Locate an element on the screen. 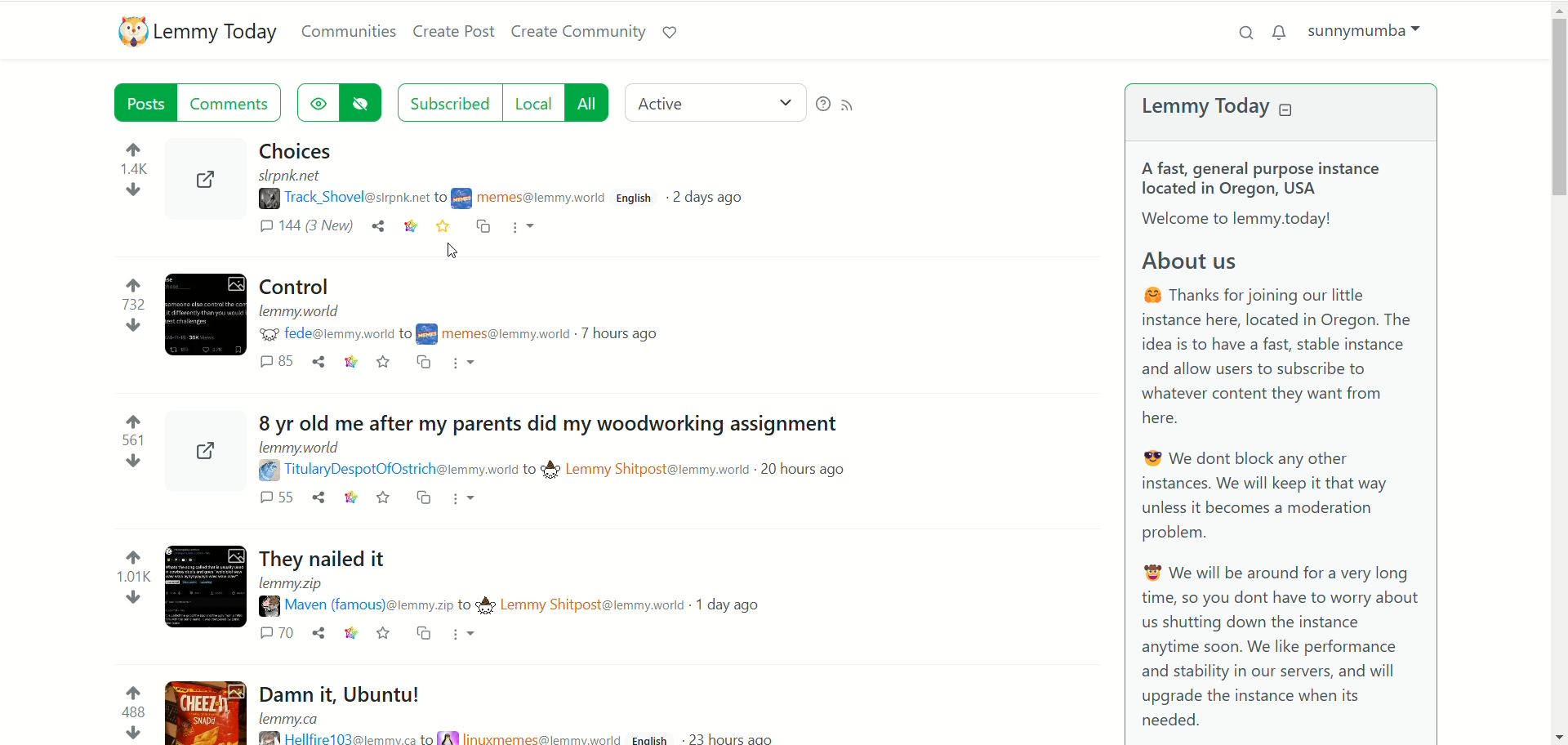 This screenshot has width=1568, height=745. (sunnymumba)account is located at coordinates (1368, 29).